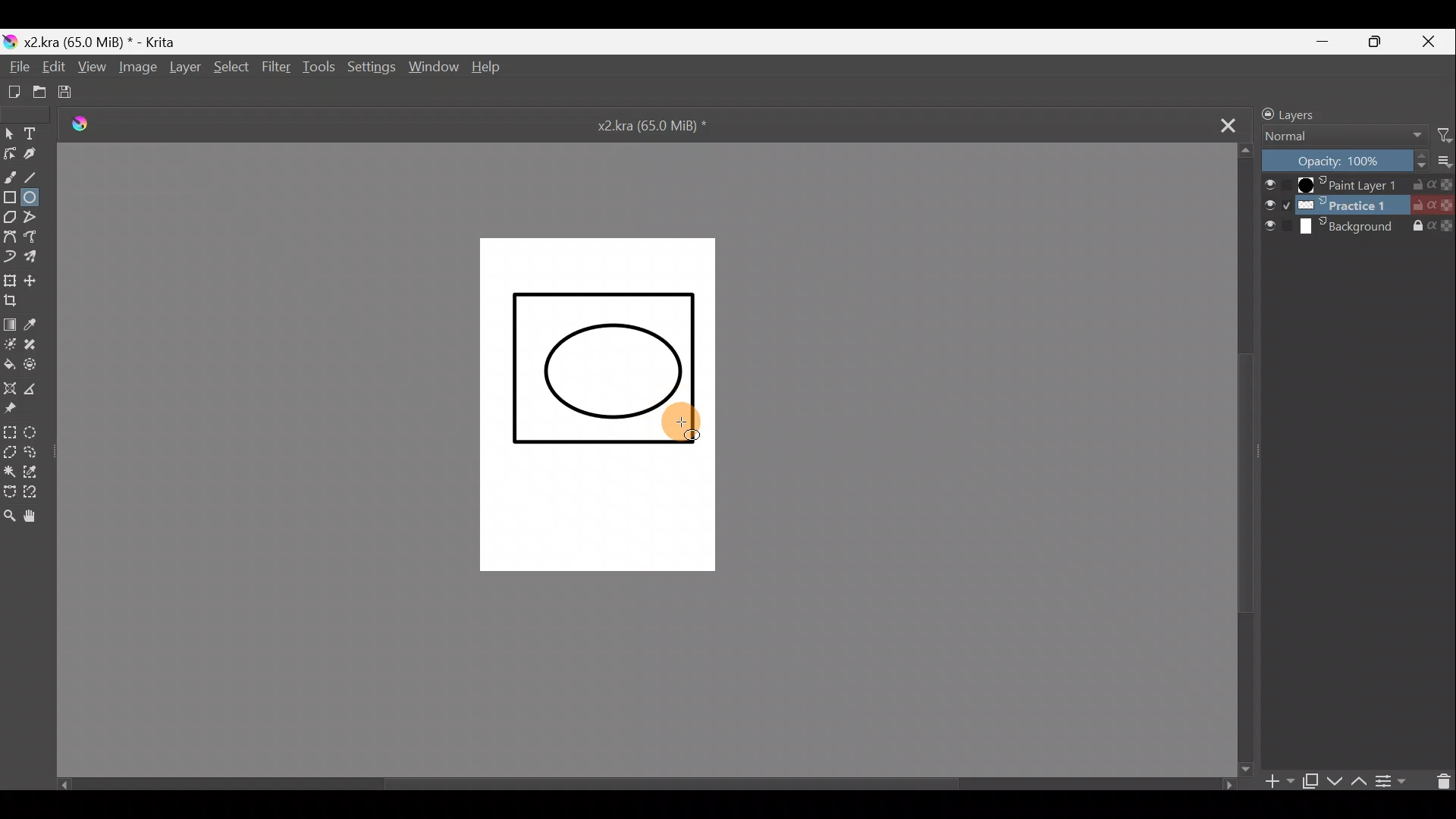 The width and height of the screenshot is (1456, 819). I want to click on Elliptical selection tool, so click(34, 431).